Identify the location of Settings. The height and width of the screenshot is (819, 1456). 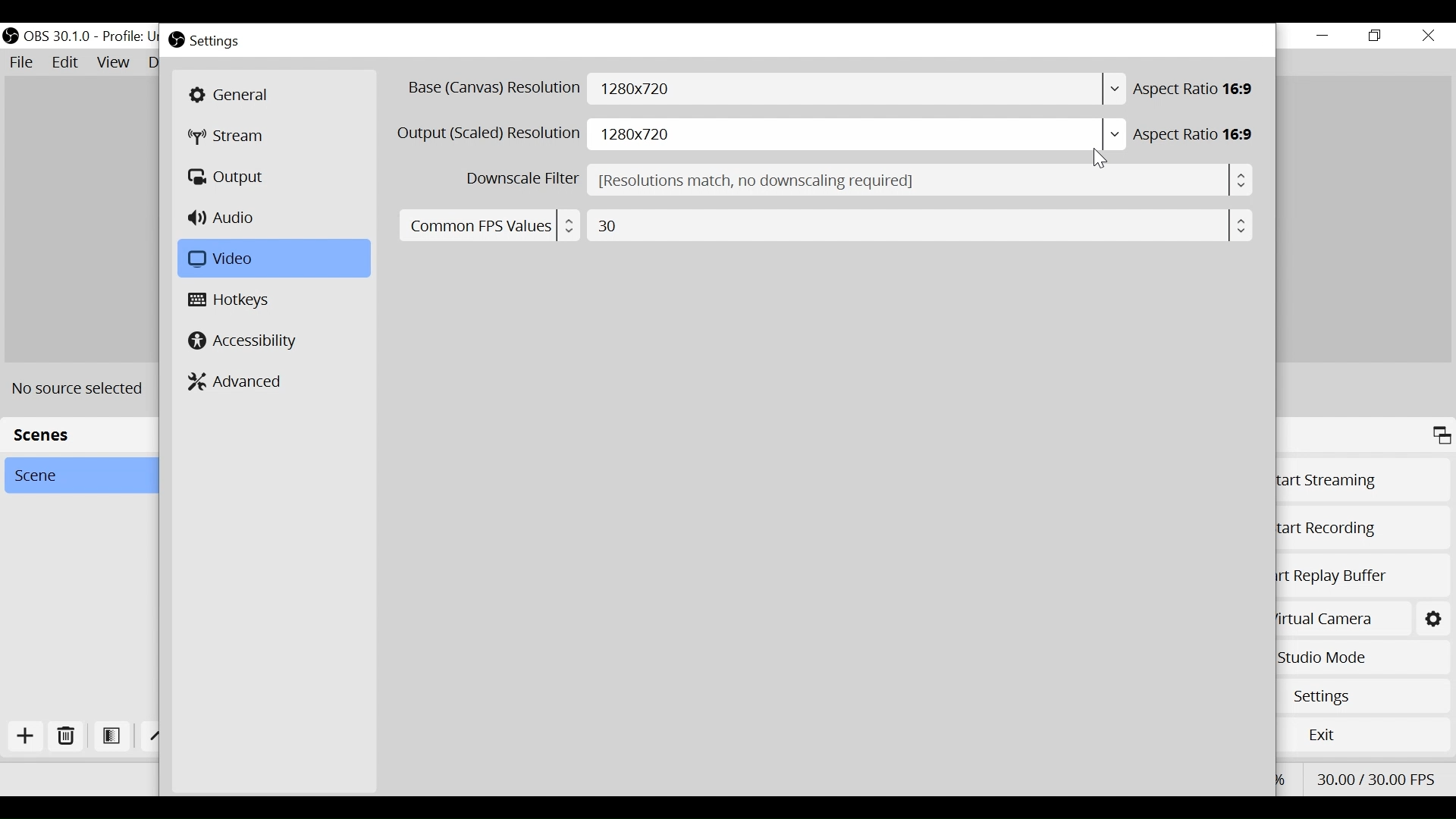
(216, 42).